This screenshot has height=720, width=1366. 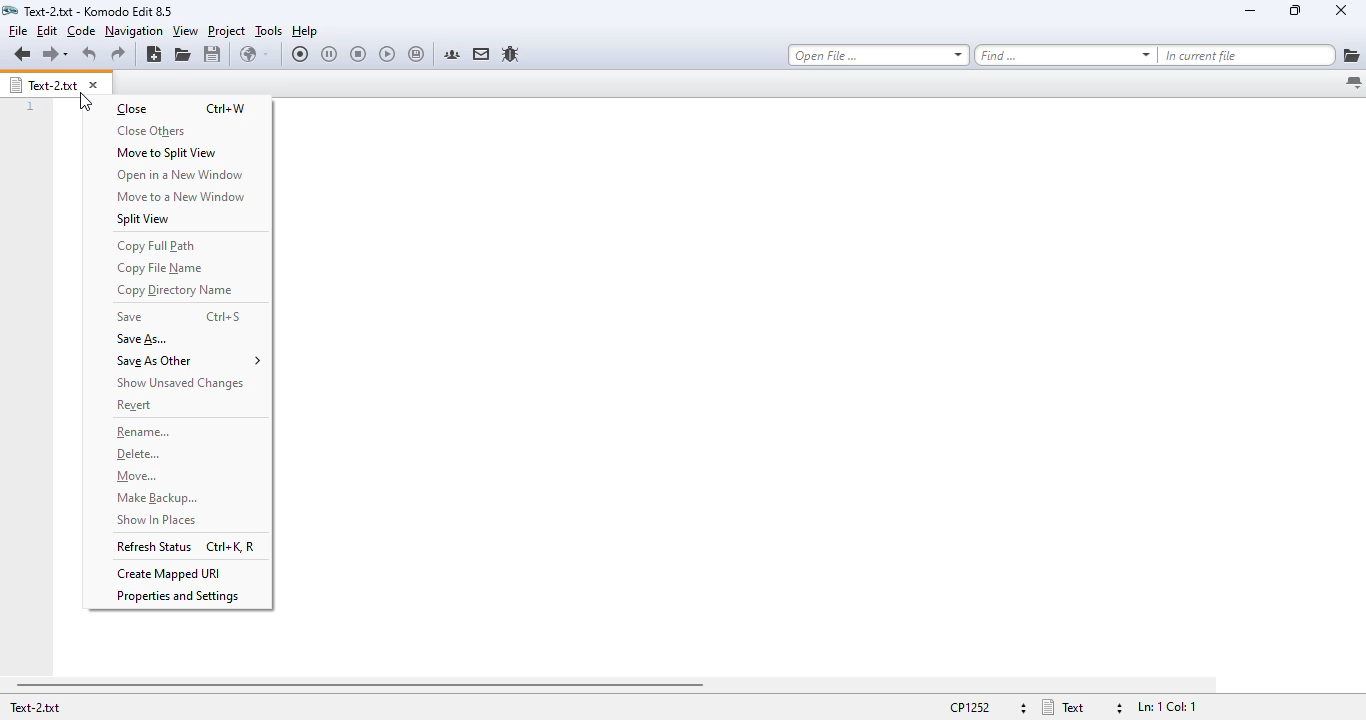 I want to click on open file, so click(x=182, y=55).